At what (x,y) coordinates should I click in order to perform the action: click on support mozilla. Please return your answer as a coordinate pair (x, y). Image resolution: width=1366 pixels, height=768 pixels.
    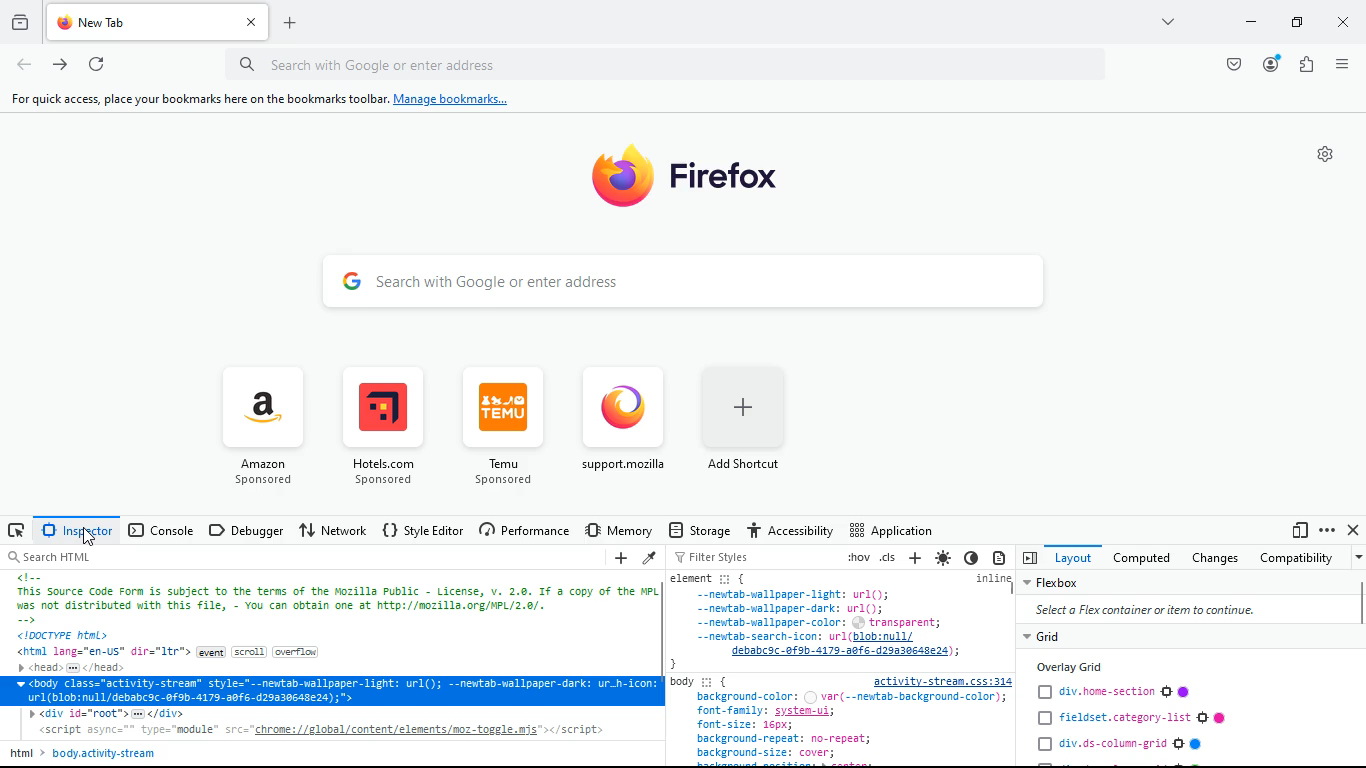
    Looking at the image, I should click on (628, 431).